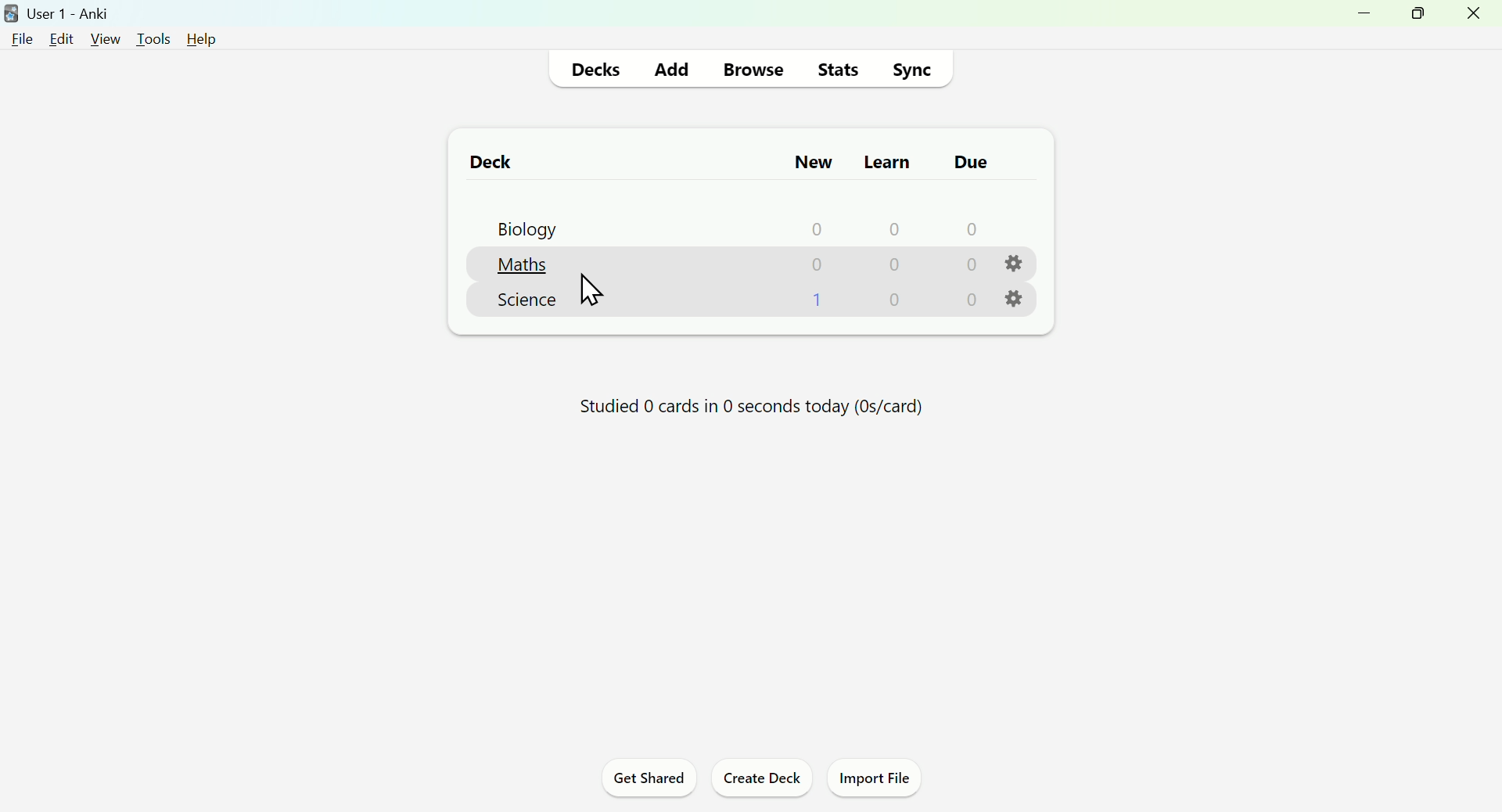 Image resolution: width=1502 pixels, height=812 pixels. I want to click on Help, so click(196, 38).